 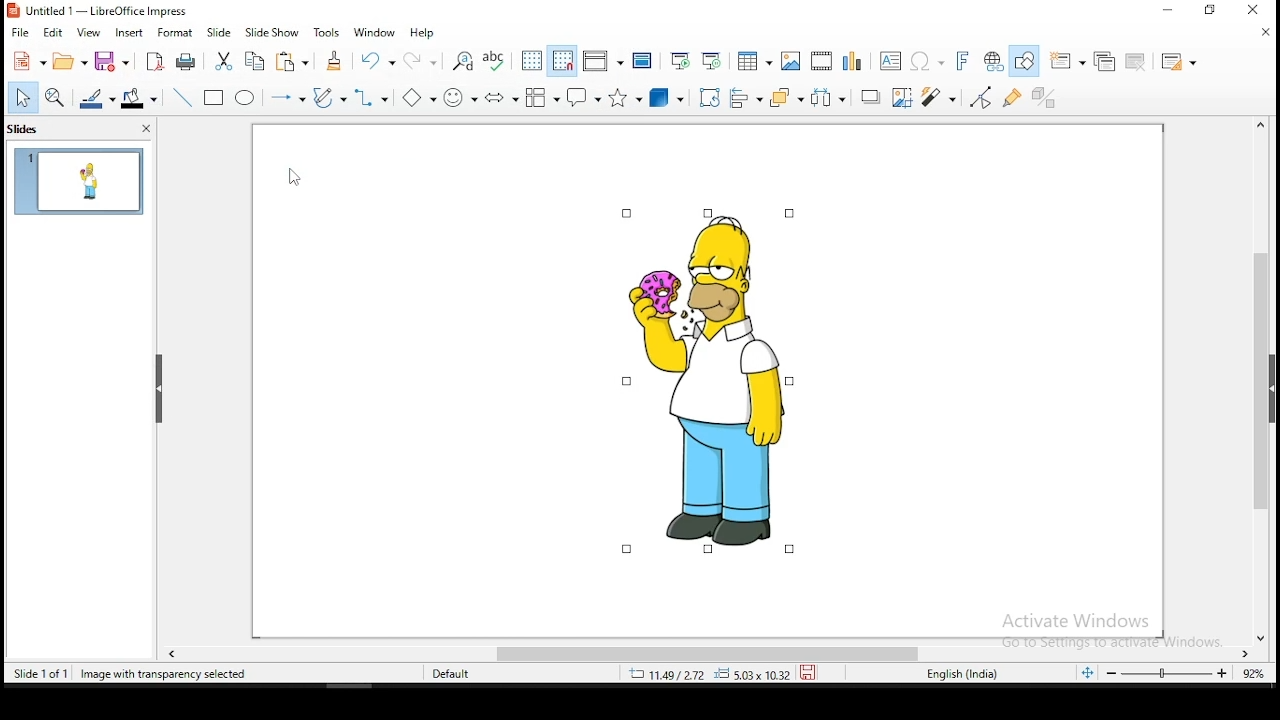 I want to click on fit slide to current window, so click(x=1086, y=673).